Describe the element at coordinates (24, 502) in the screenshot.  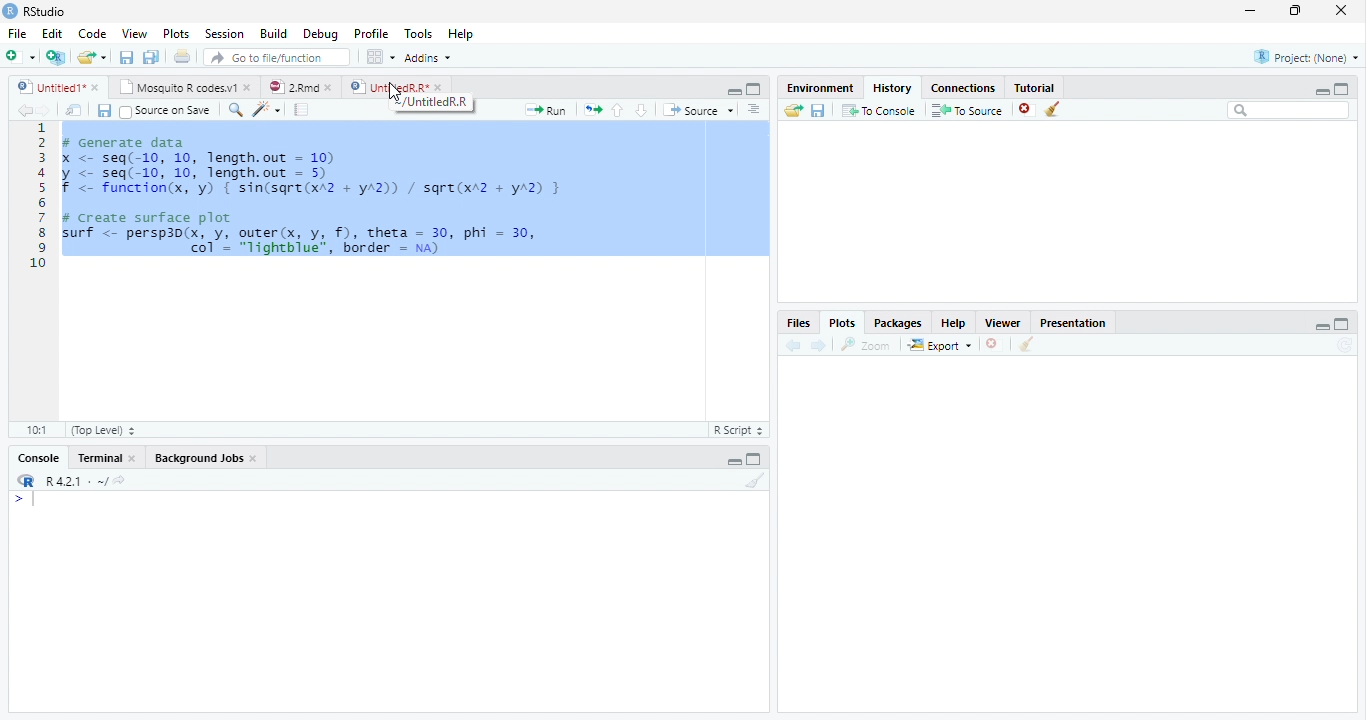
I see `New line` at that location.